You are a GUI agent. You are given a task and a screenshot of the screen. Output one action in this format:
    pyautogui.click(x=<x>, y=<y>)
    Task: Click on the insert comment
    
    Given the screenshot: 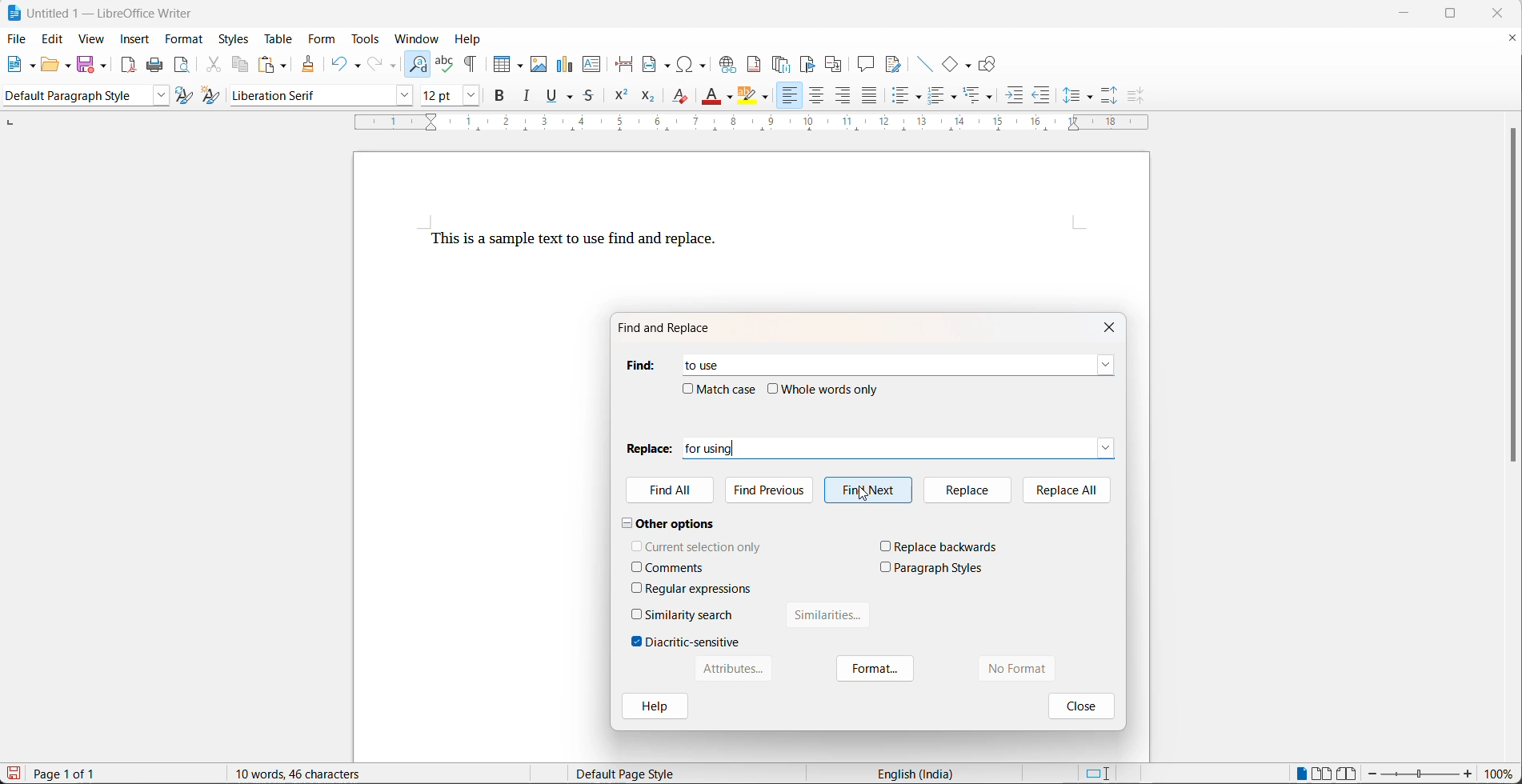 What is the action you would take?
    pyautogui.click(x=866, y=64)
    